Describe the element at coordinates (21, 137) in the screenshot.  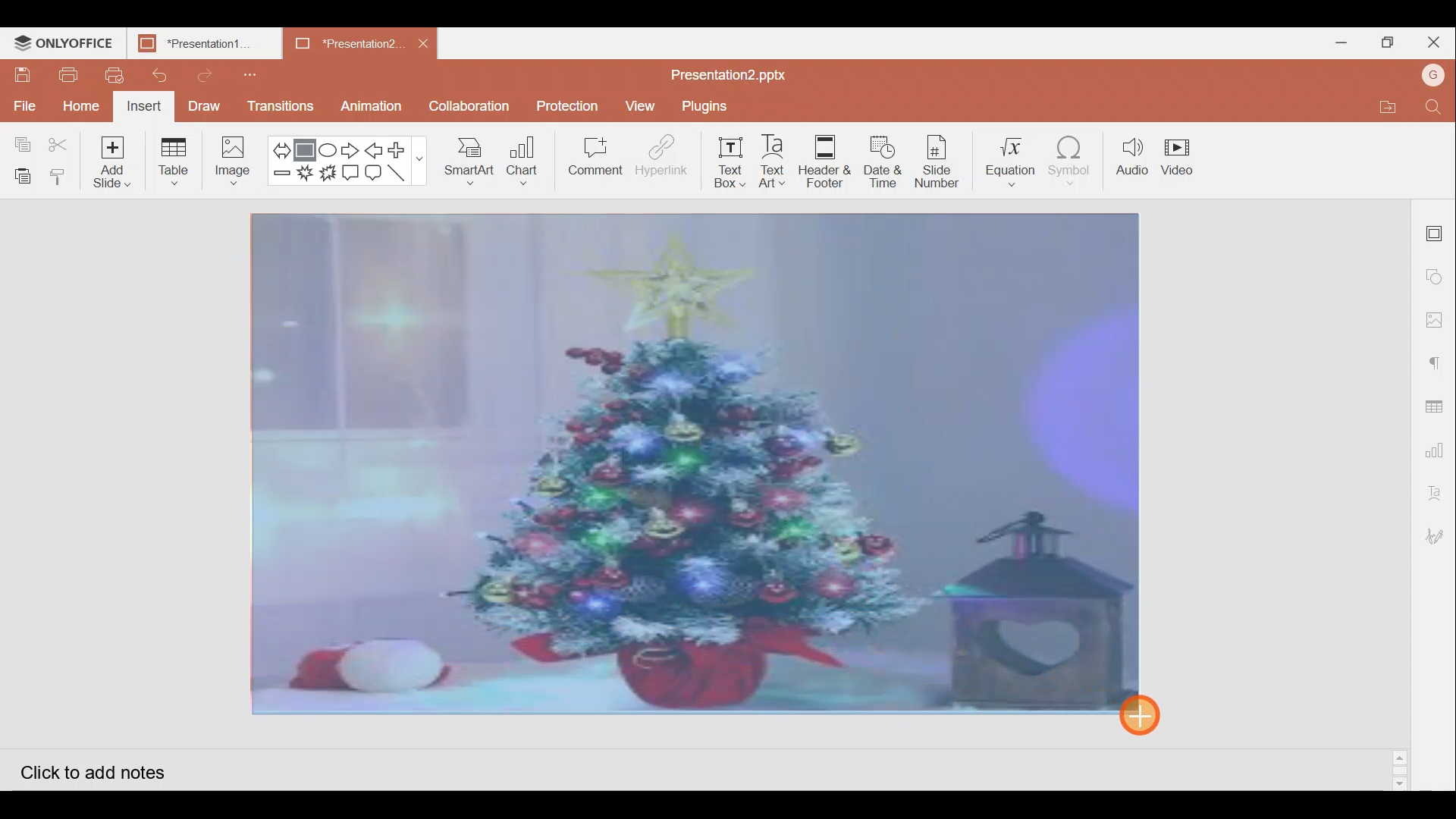
I see `Copy` at that location.